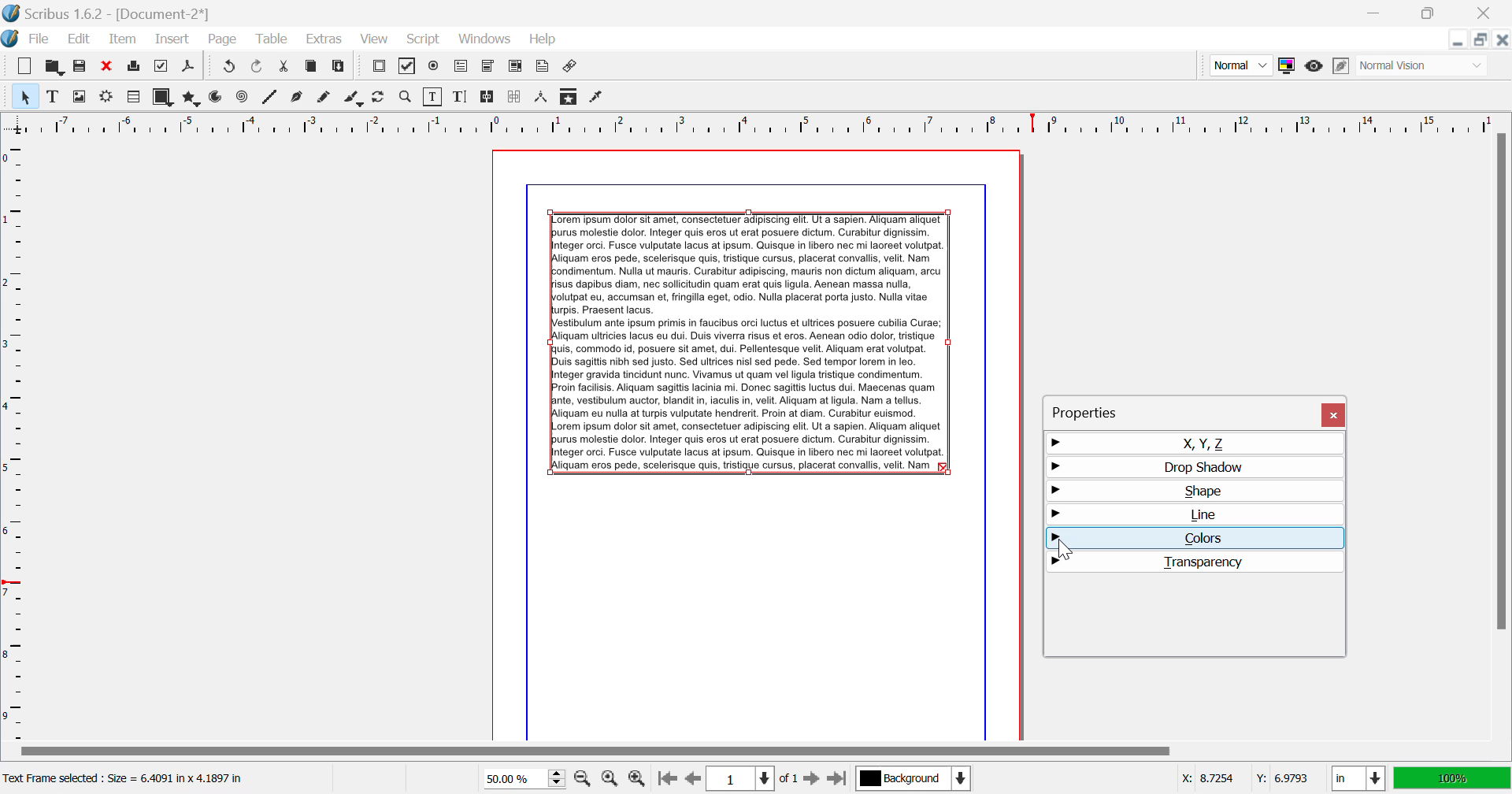 The height and width of the screenshot is (794, 1512). Describe the element at coordinates (460, 97) in the screenshot. I see `Edit Text with Story Editor` at that location.